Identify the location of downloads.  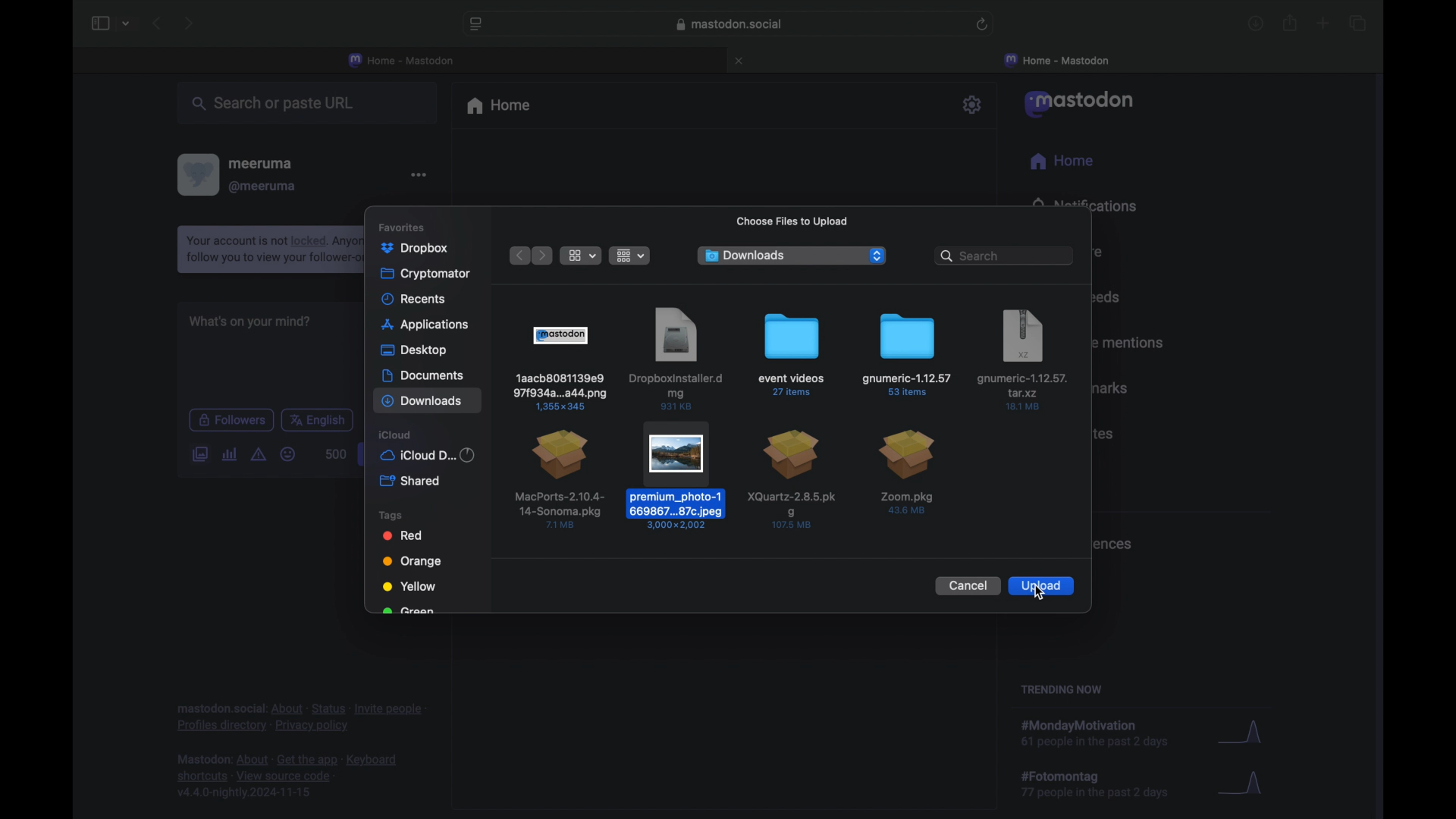
(1256, 25).